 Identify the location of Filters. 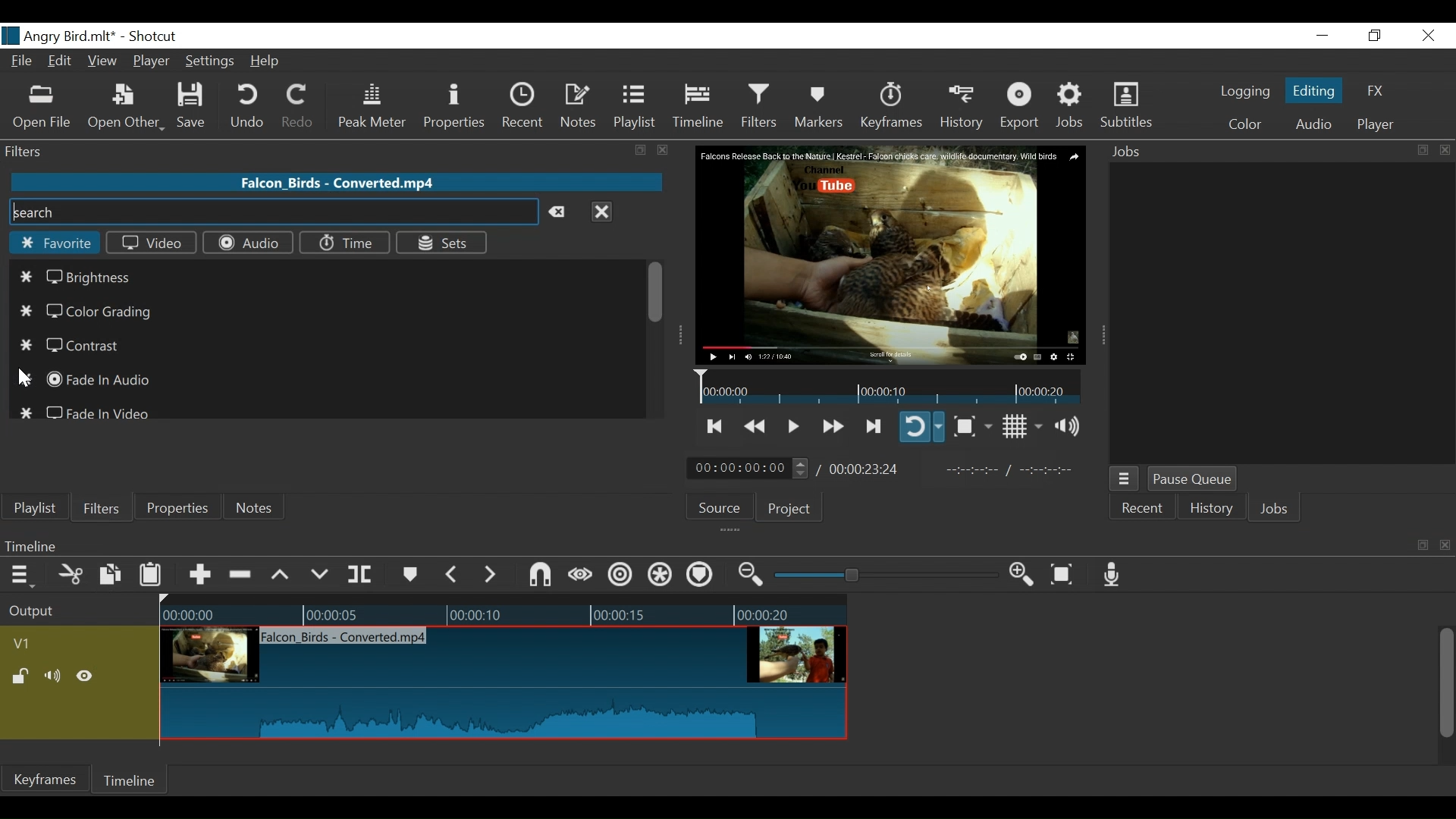
(761, 105).